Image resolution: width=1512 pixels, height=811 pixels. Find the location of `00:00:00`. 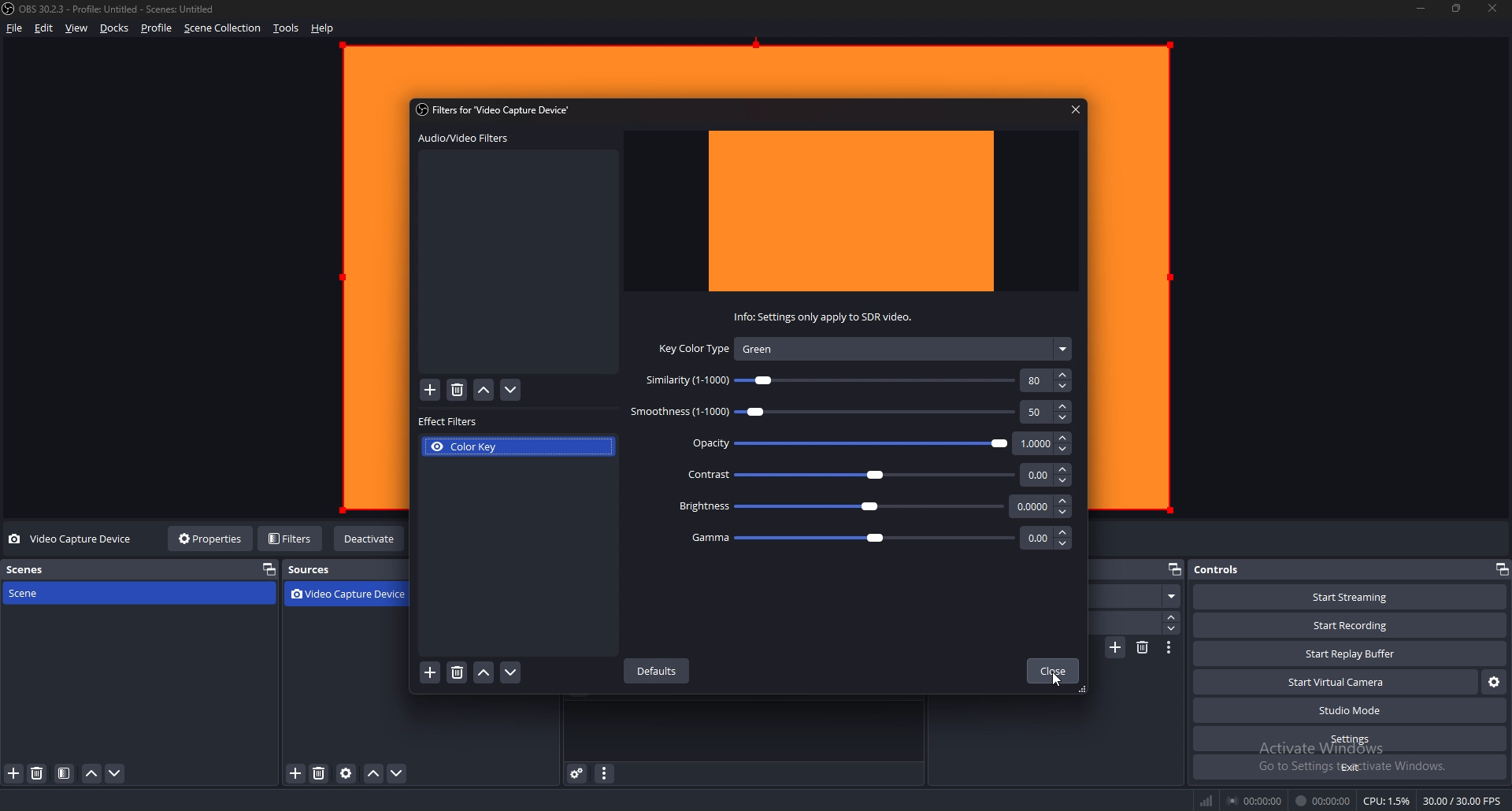

00:00:00 is located at coordinates (1254, 801).